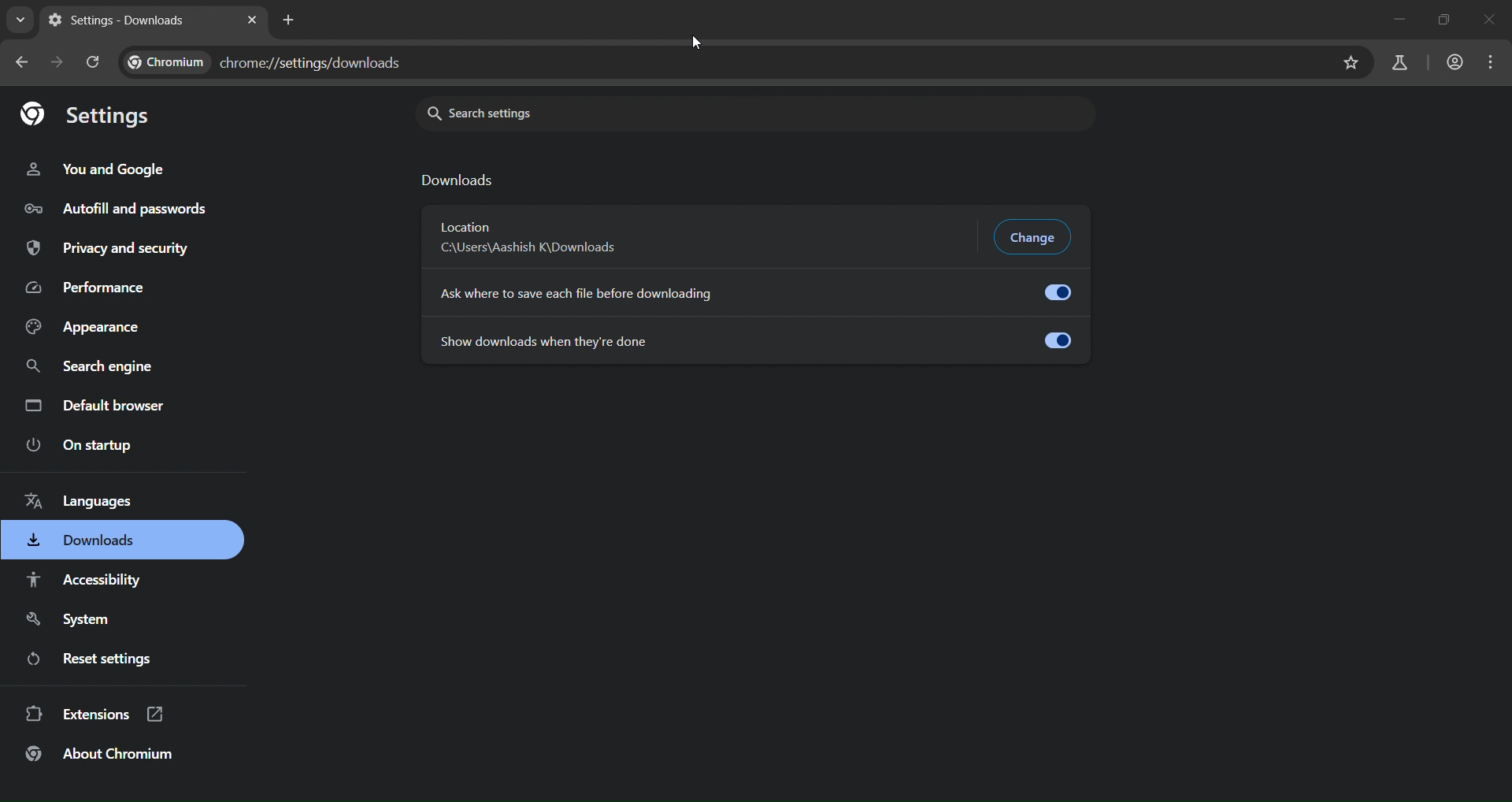 The height and width of the screenshot is (802, 1512). I want to click on bookmark page, so click(1351, 62).